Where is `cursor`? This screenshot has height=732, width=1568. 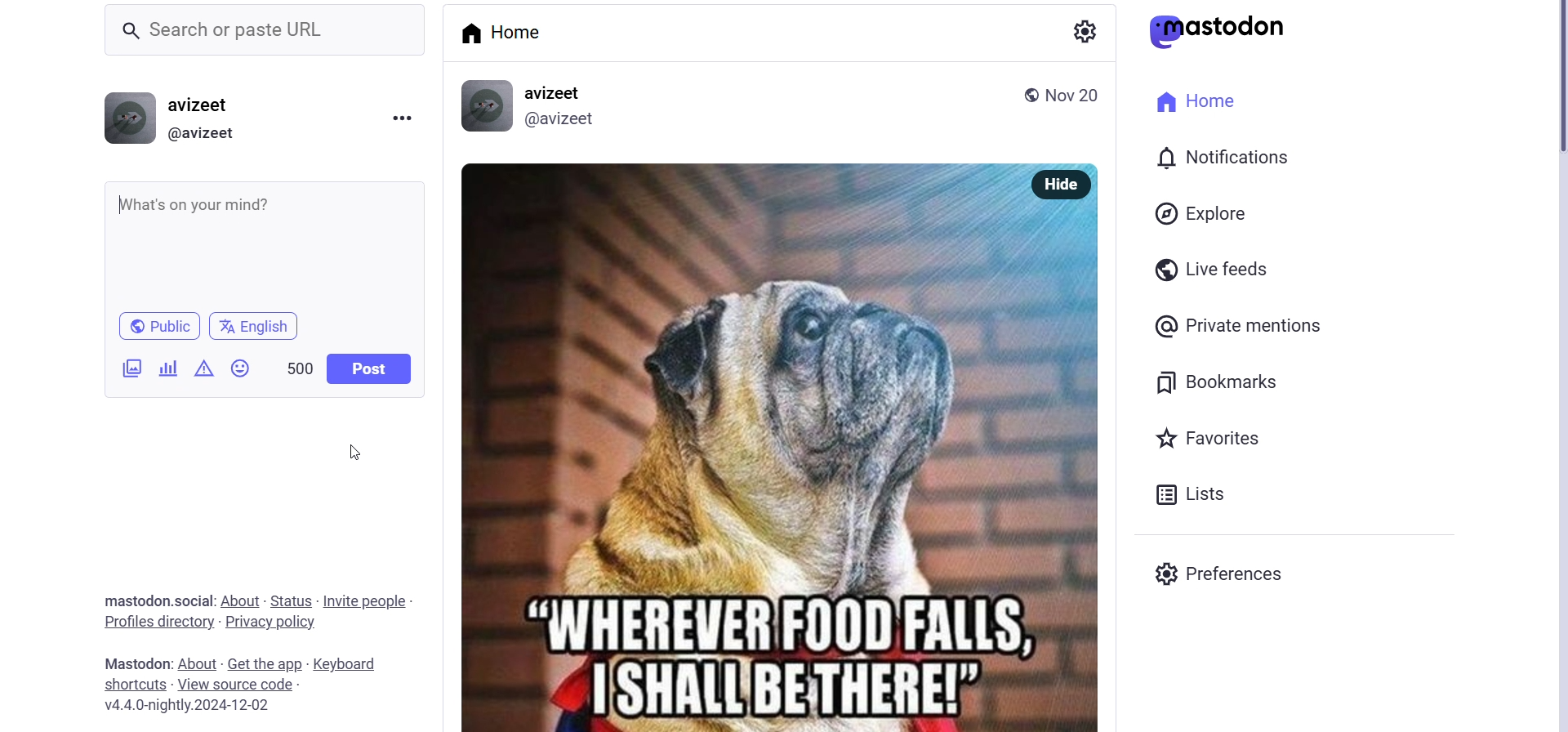
cursor is located at coordinates (348, 455).